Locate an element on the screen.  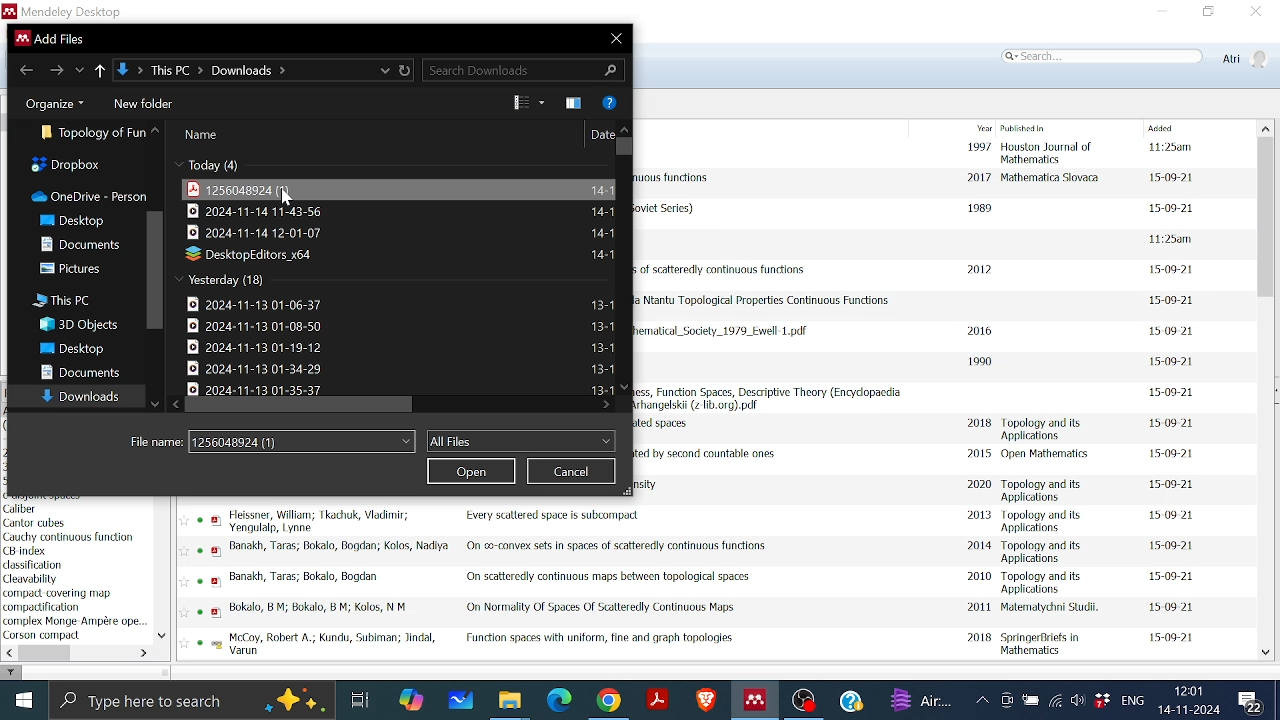
File is located at coordinates (253, 388).